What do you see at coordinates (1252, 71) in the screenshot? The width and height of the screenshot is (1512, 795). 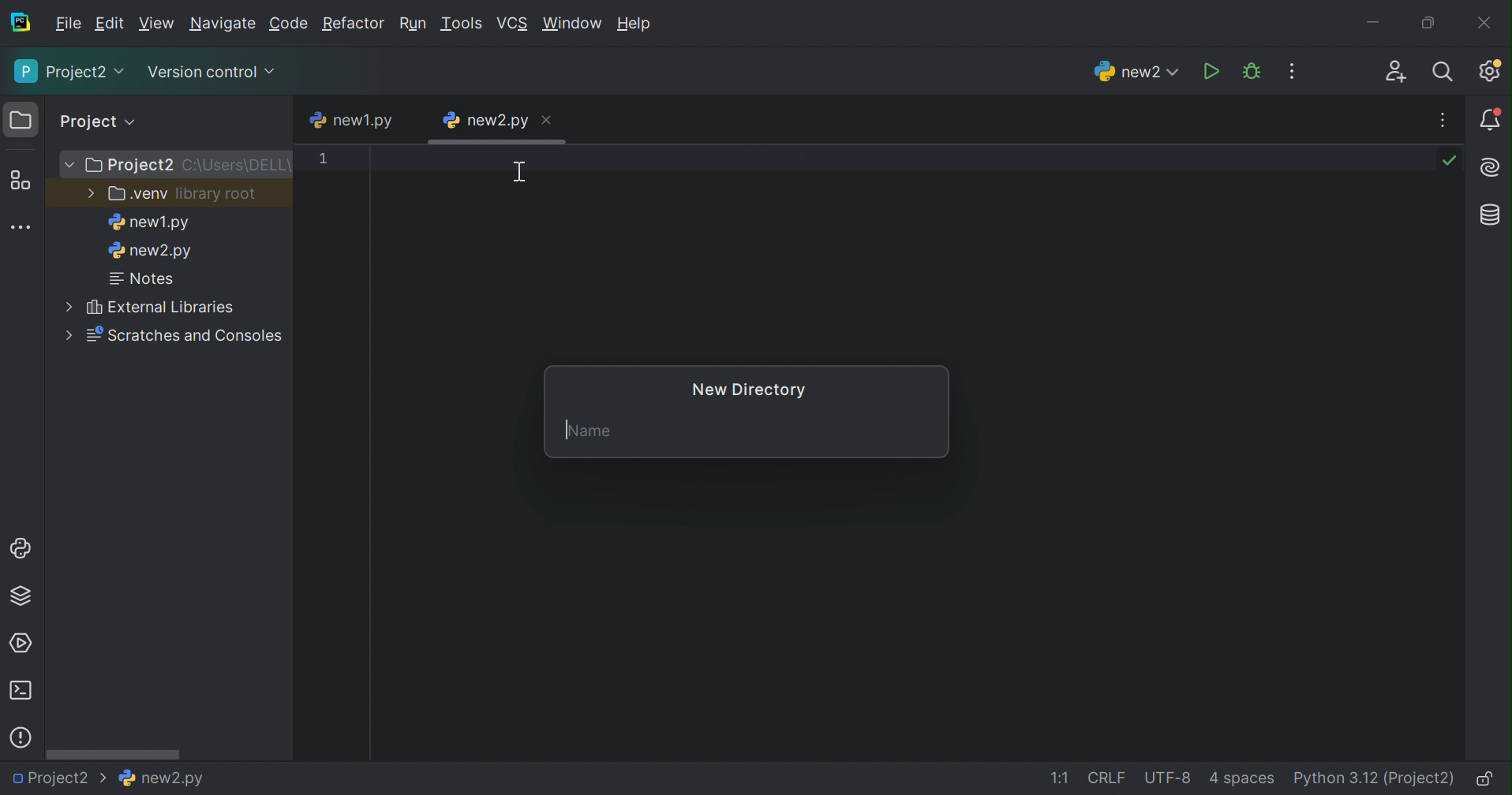 I see `Debug` at bounding box center [1252, 71].